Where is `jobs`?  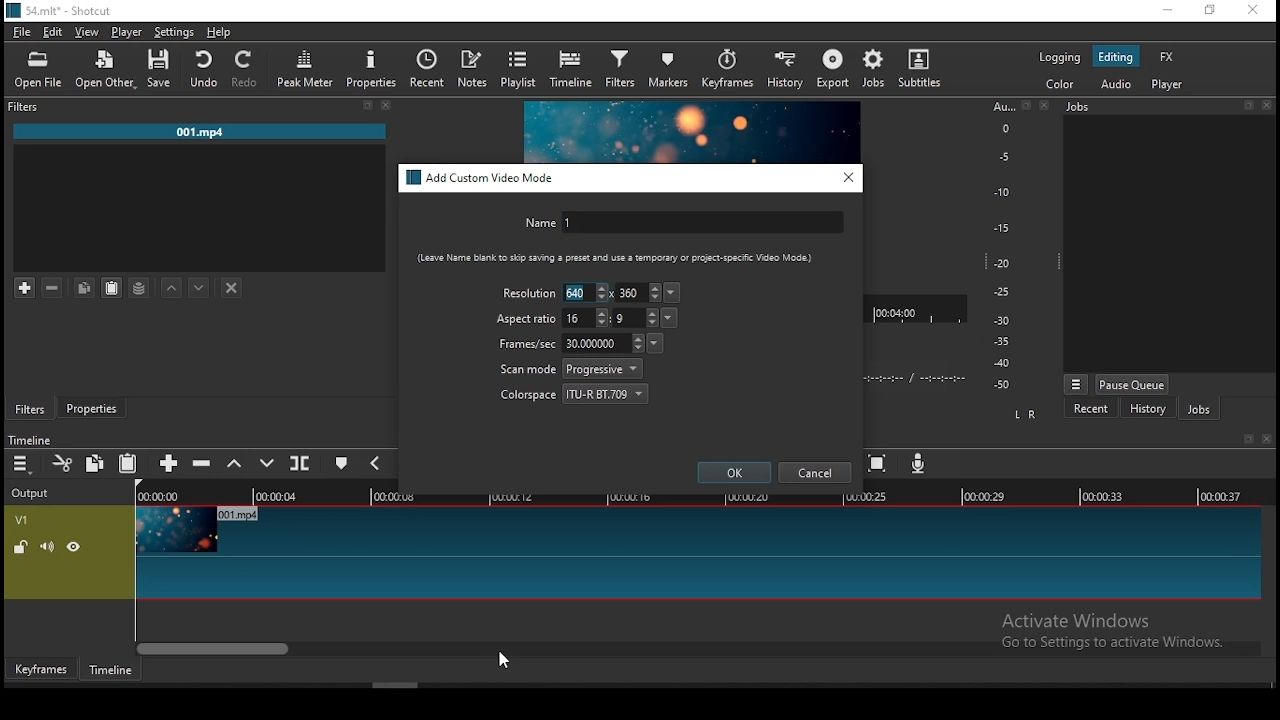
jobs is located at coordinates (875, 68).